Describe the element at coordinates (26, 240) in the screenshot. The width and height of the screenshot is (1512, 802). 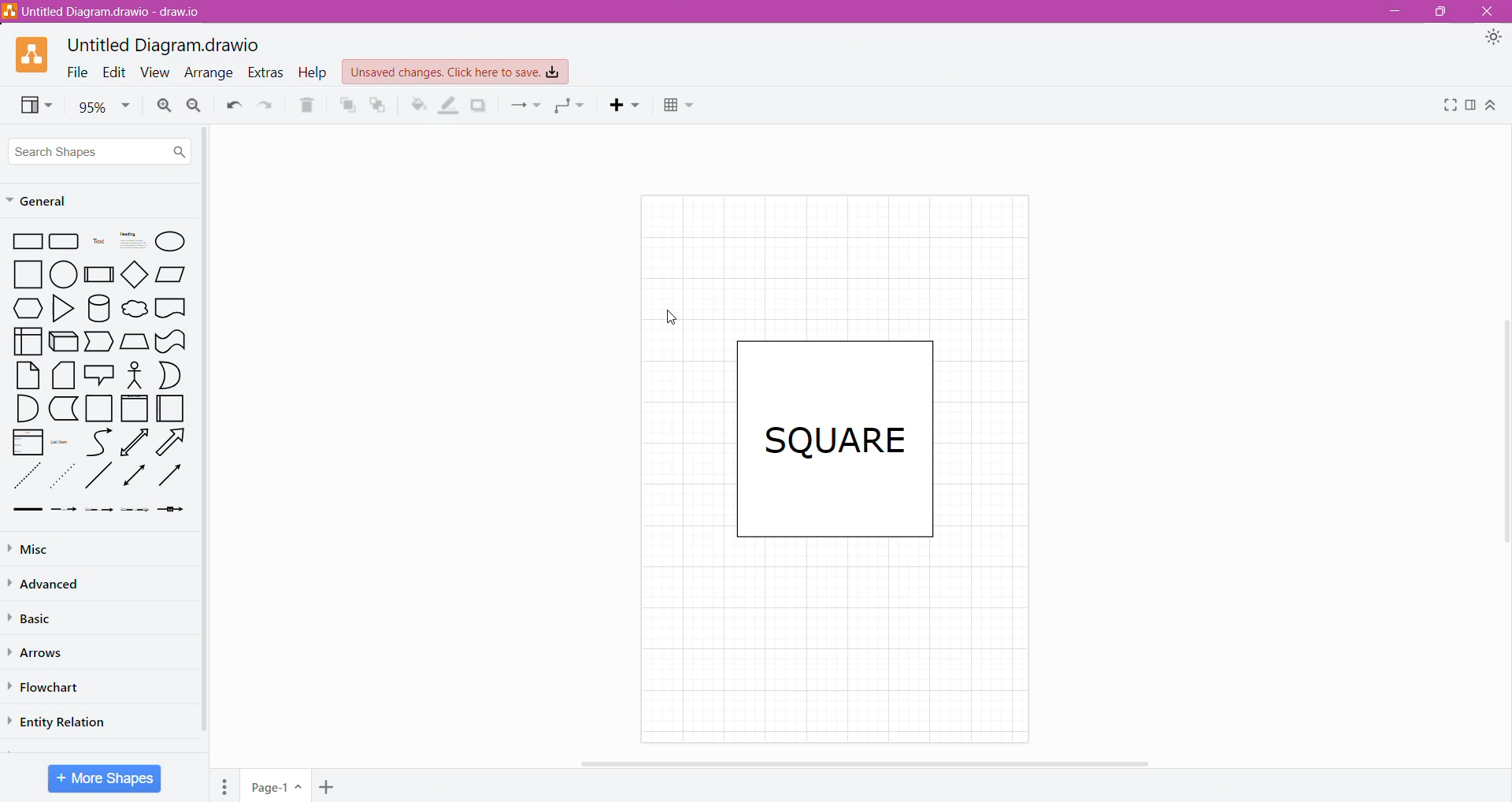
I see `Rectangle` at that location.